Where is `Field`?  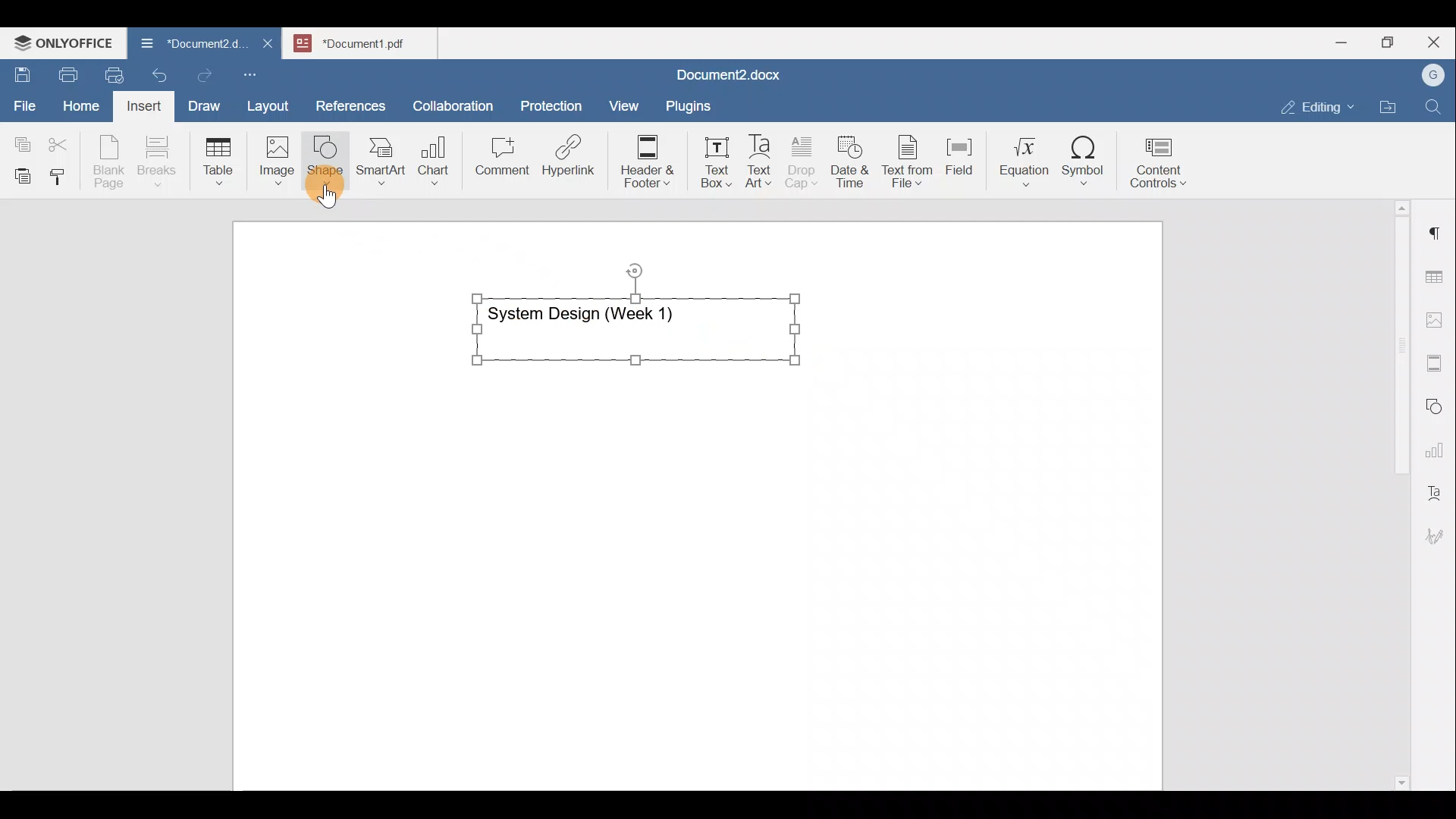 Field is located at coordinates (959, 154).